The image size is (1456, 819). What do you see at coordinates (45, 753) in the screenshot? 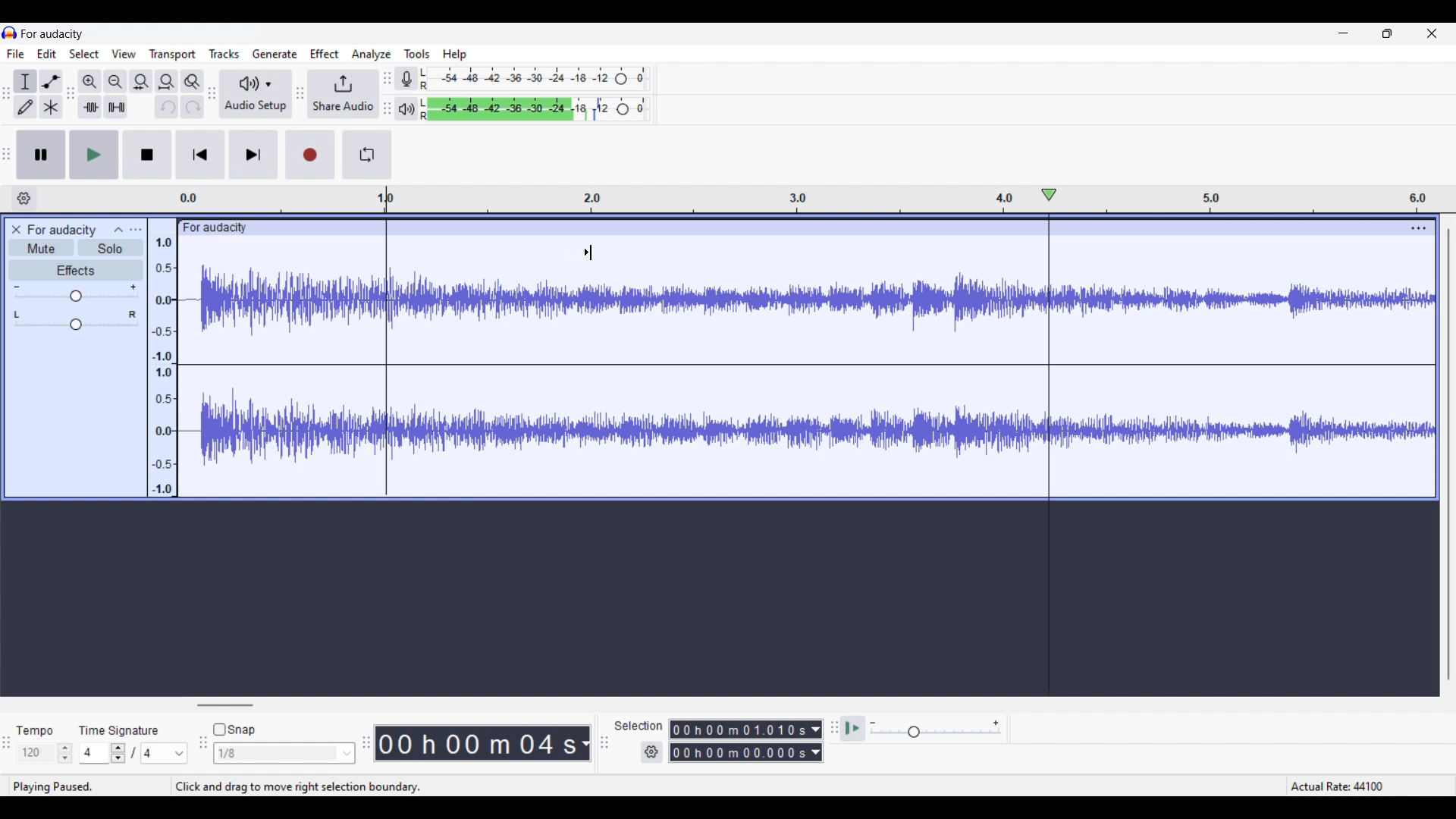
I see `Tempo settings` at bounding box center [45, 753].